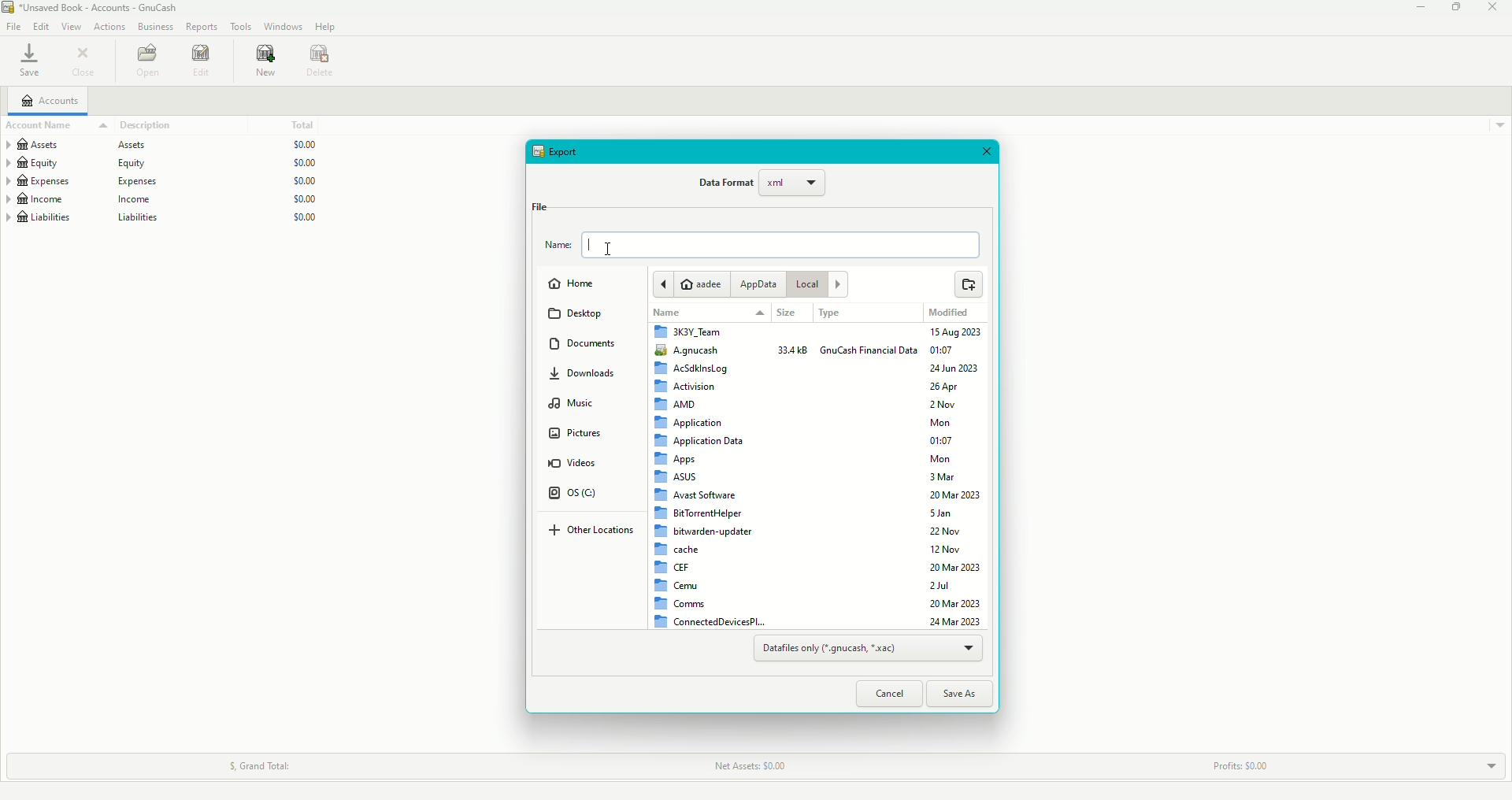 The width and height of the screenshot is (1512, 800). What do you see at coordinates (560, 151) in the screenshot?
I see `Export` at bounding box center [560, 151].